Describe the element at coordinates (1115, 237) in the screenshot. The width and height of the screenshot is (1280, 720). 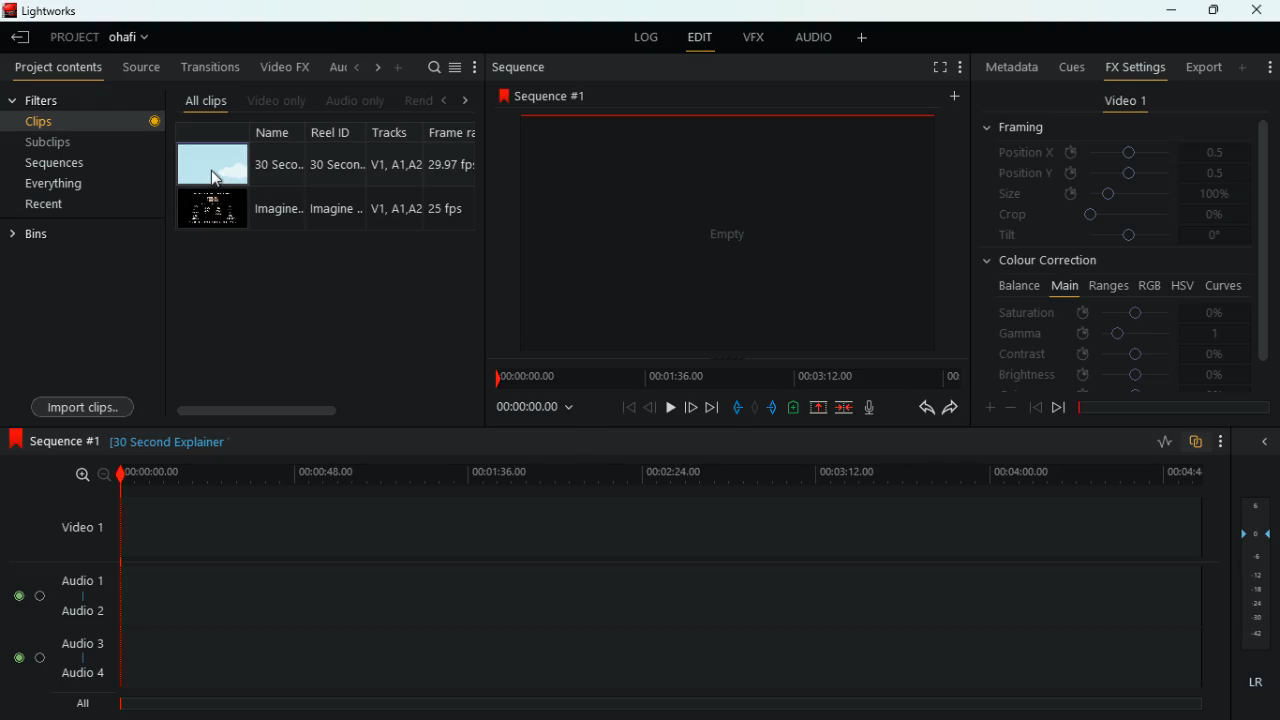
I see `` at that location.